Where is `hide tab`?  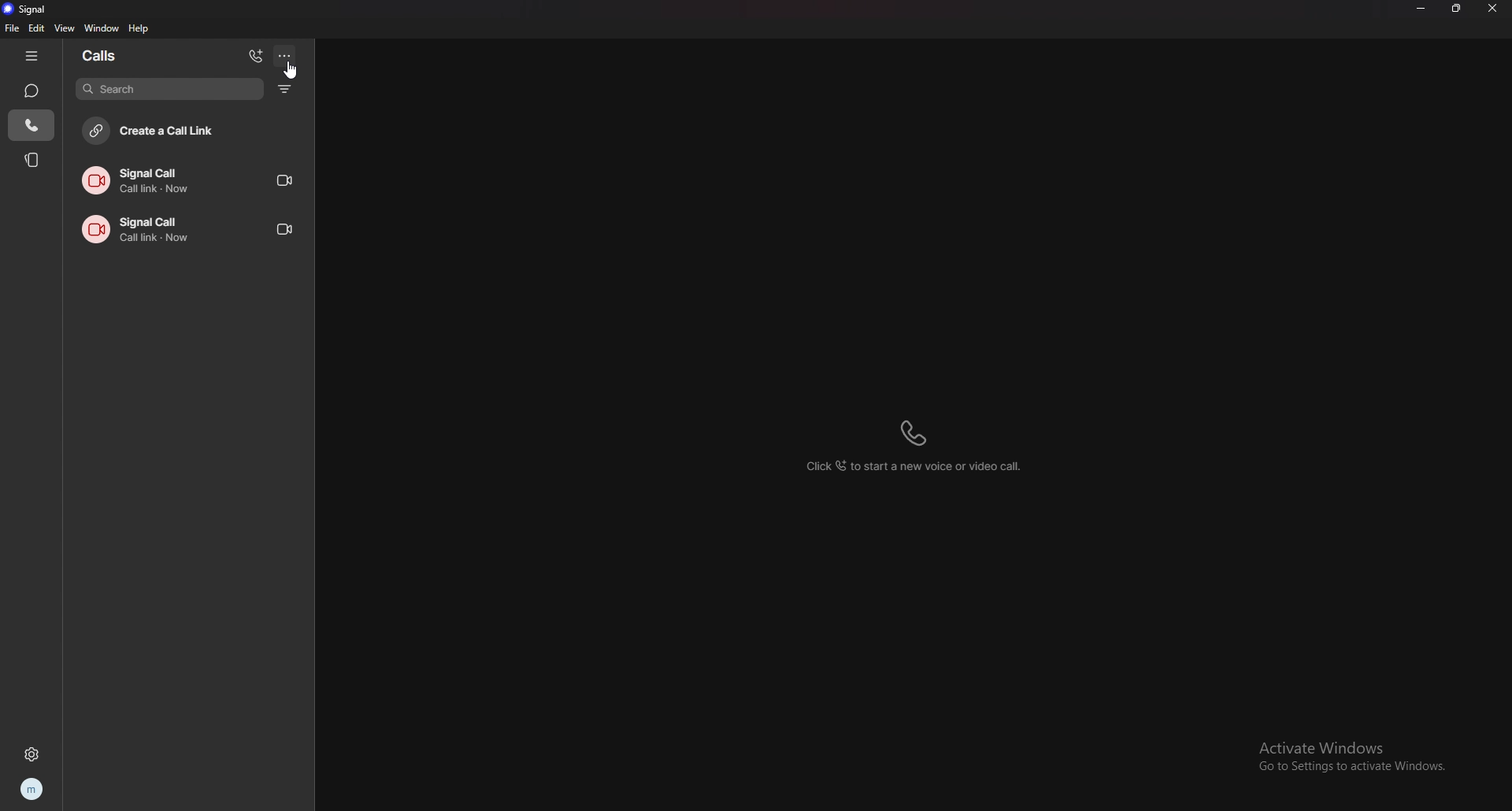
hide tab is located at coordinates (32, 54).